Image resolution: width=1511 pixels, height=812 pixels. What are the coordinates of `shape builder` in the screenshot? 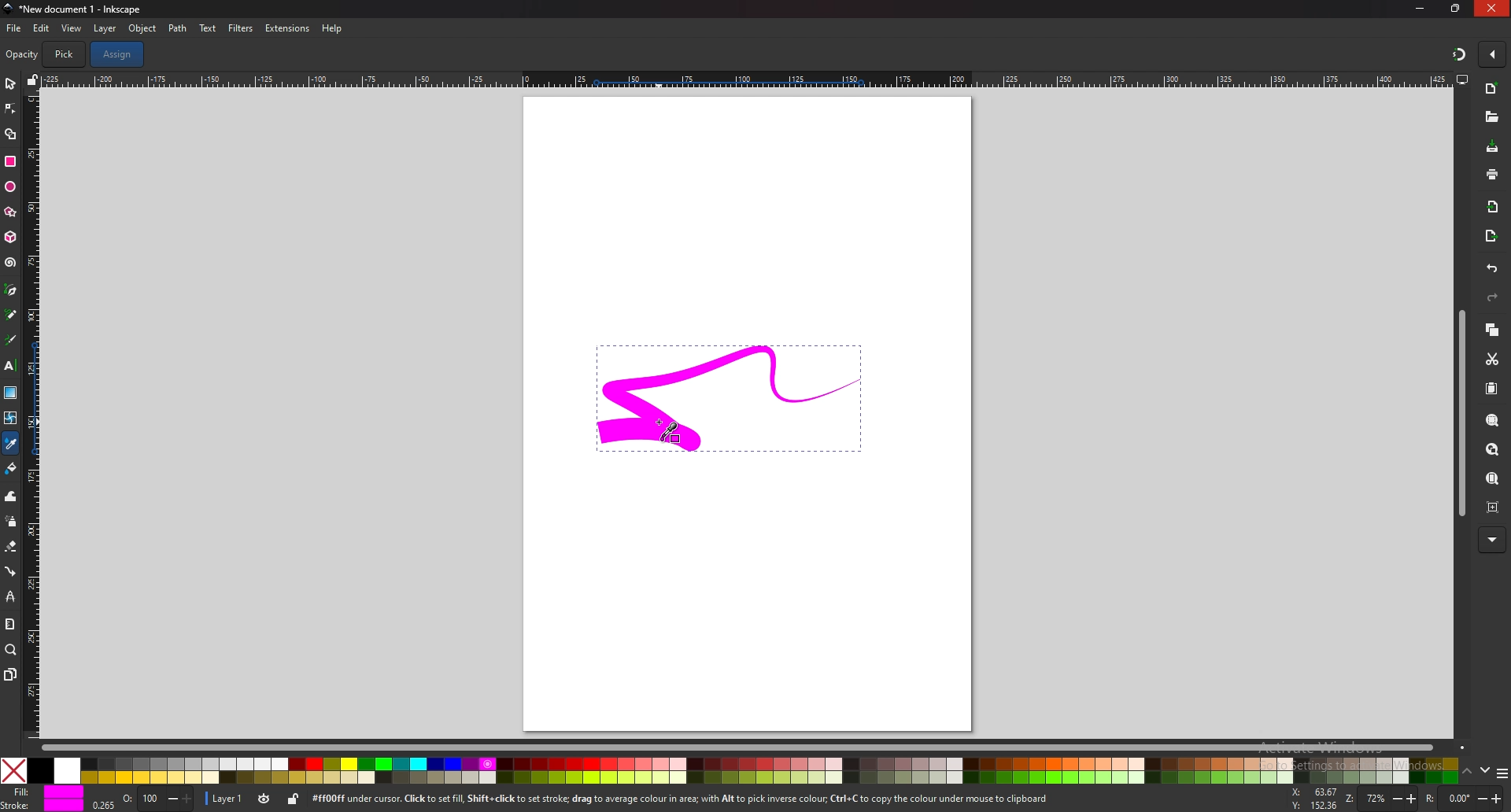 It's located at (10, 135).